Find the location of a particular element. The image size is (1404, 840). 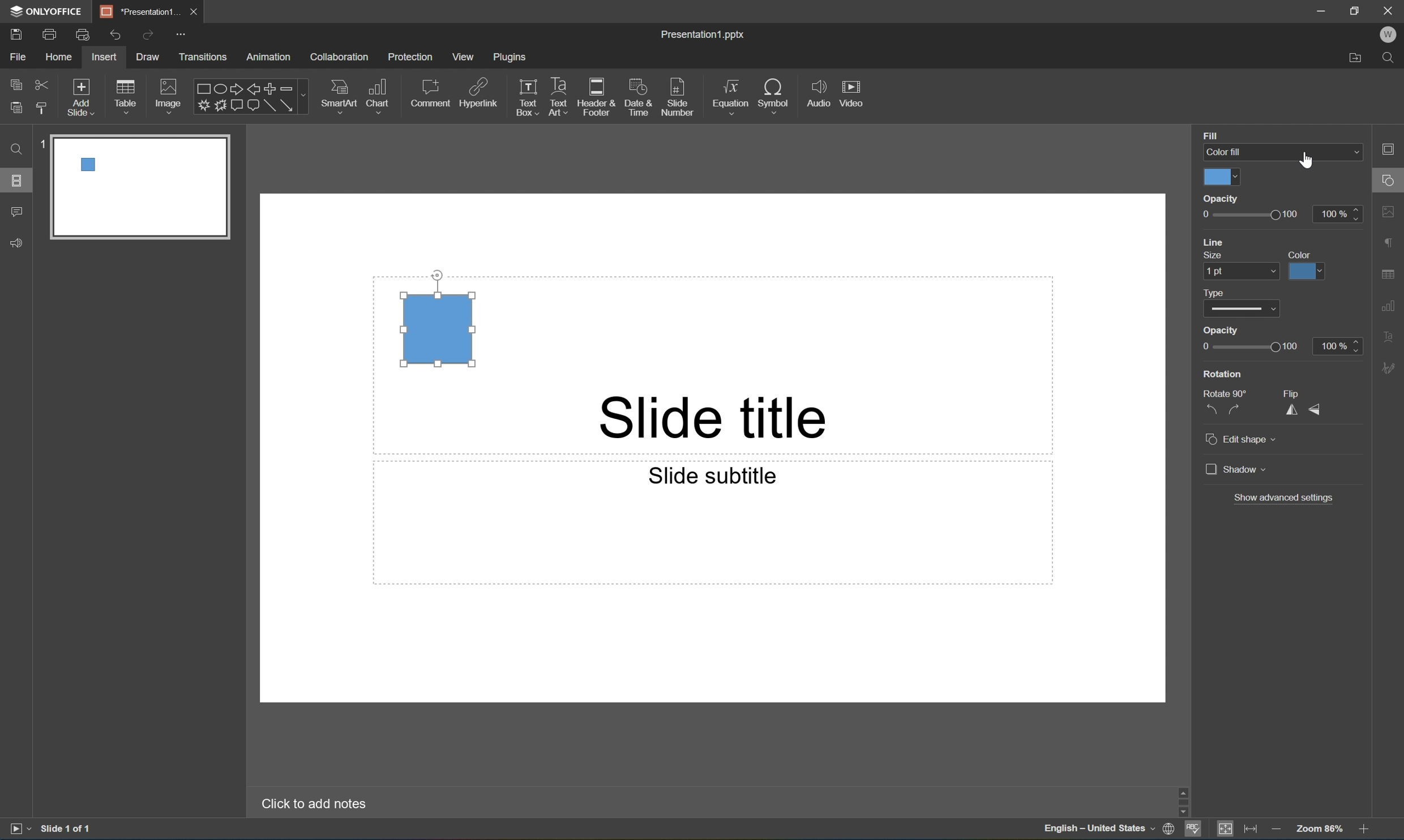

 is located at coordinates (252, 106).